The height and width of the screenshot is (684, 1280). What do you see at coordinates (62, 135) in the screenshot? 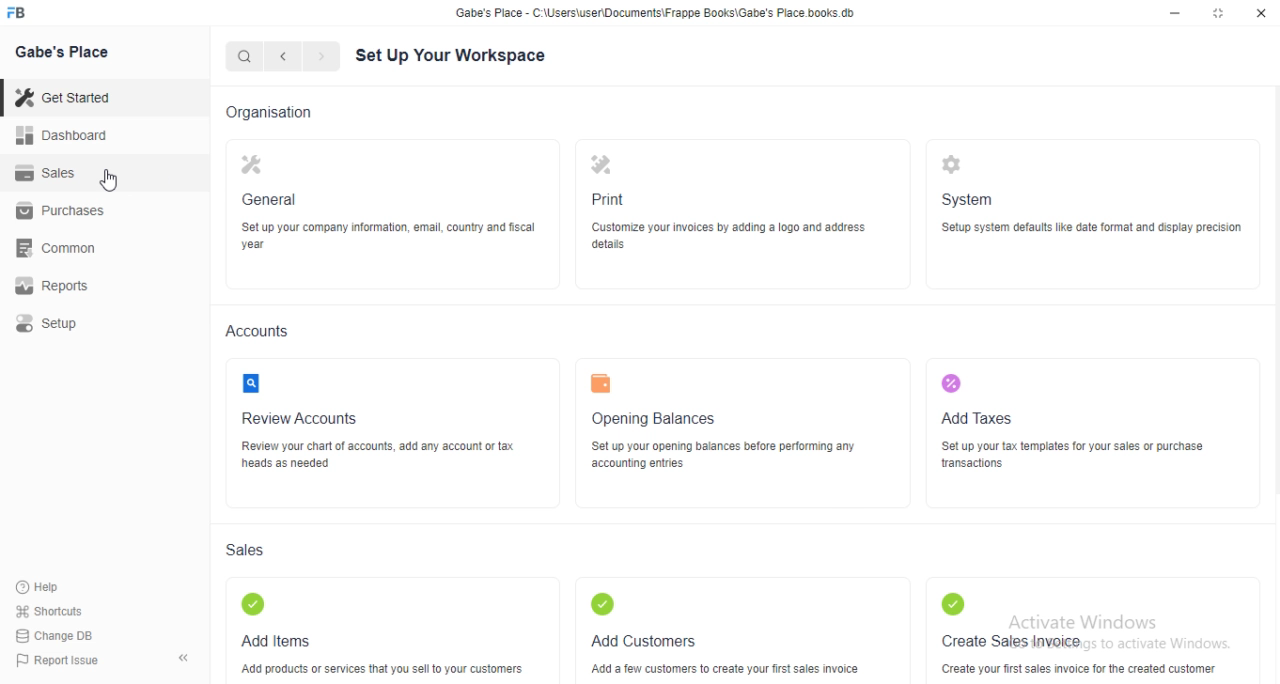
I see `dashboard` at bounding box center [62, 135].